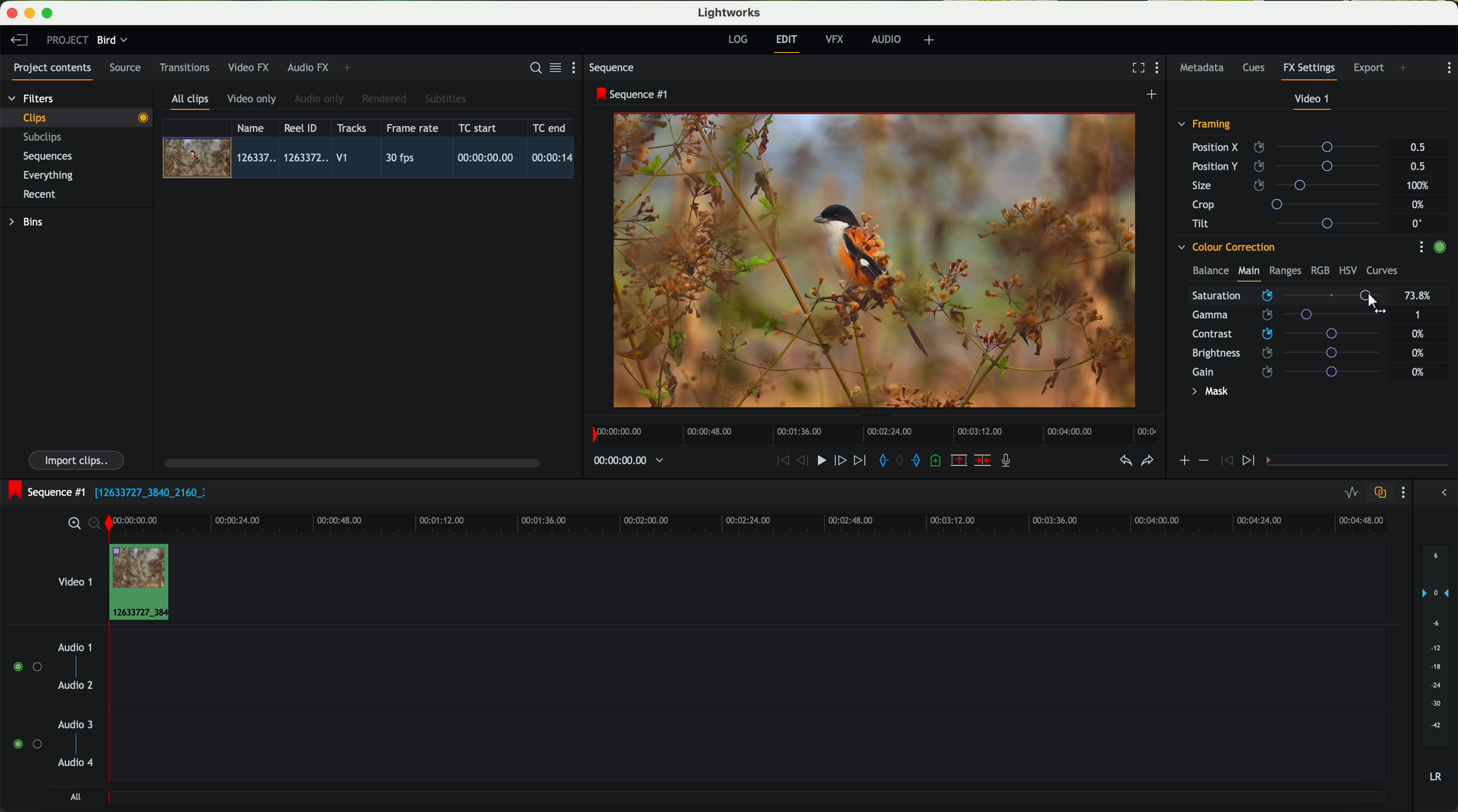 The width and height of the screenshot is (1458, 812). What do you see at coordinates (1378, 493) in the screenshot?
I see `toggle auto track sync` at bounding box center [1378, 493].